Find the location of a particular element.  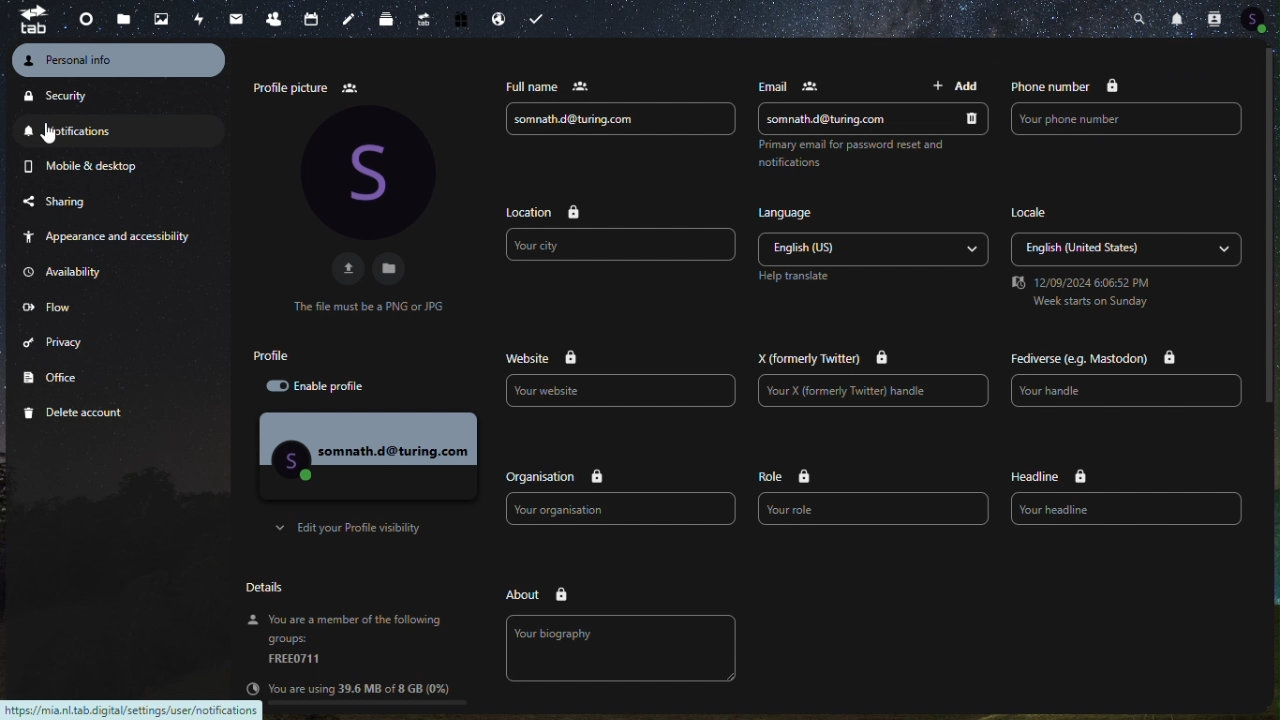

language is located at coordinates (792, 211).